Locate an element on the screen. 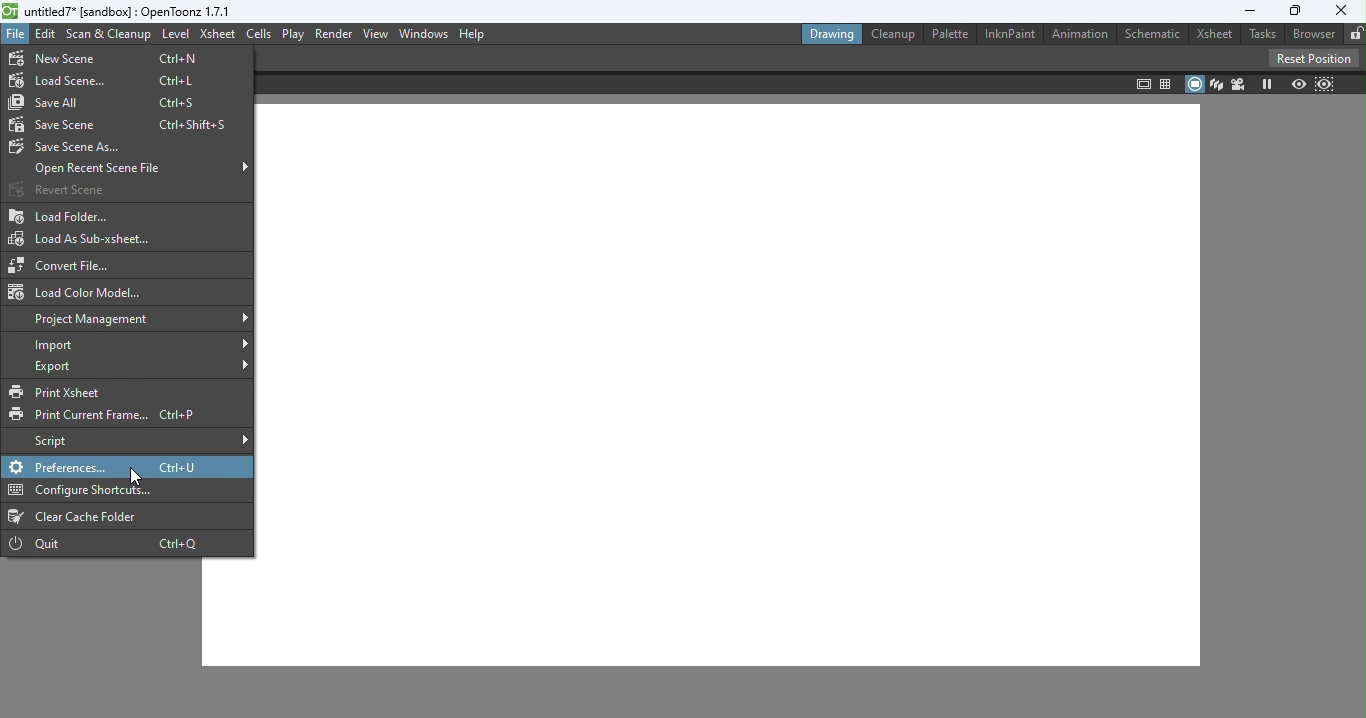 The width and height of the screenshot is (1366, 718). Load scene is located at coordinates (110, 82).